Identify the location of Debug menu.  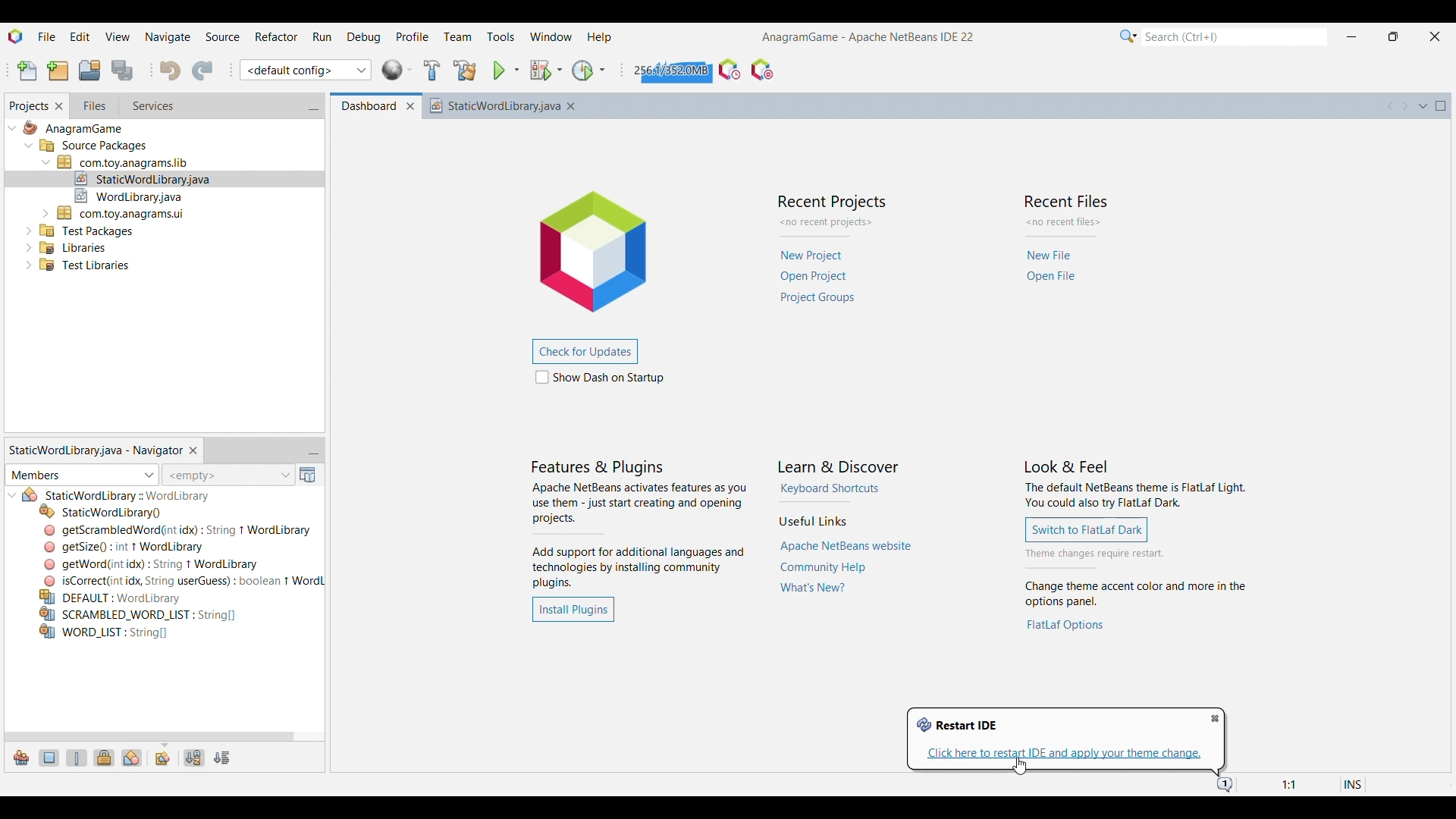
(364, 36).